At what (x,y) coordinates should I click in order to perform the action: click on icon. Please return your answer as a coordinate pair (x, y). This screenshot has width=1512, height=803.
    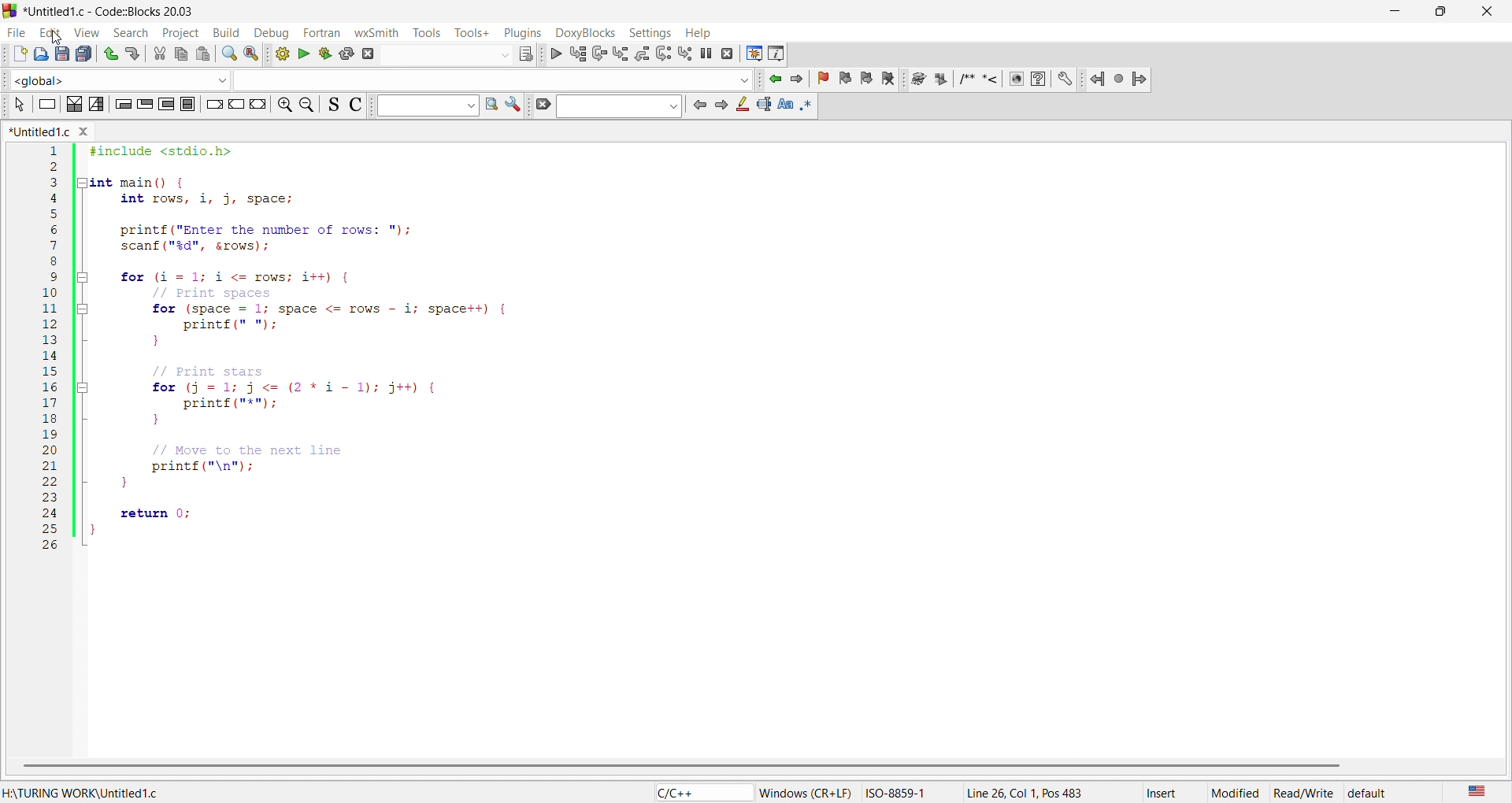
    Looking at the image, I should click on (45, 105).